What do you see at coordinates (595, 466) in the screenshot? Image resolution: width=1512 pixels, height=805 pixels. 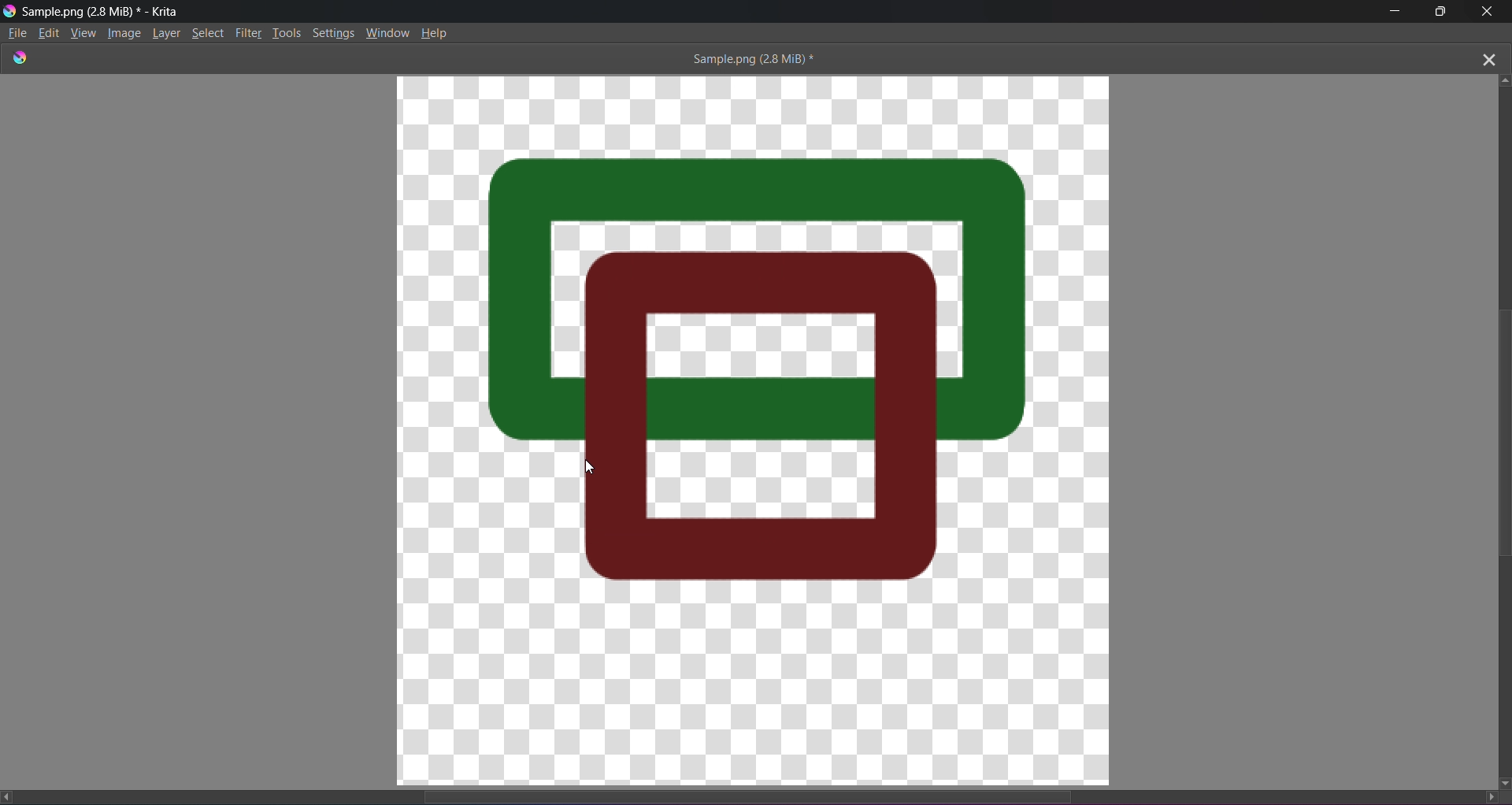 I see `Cursor` at bounding box center [595, 466].